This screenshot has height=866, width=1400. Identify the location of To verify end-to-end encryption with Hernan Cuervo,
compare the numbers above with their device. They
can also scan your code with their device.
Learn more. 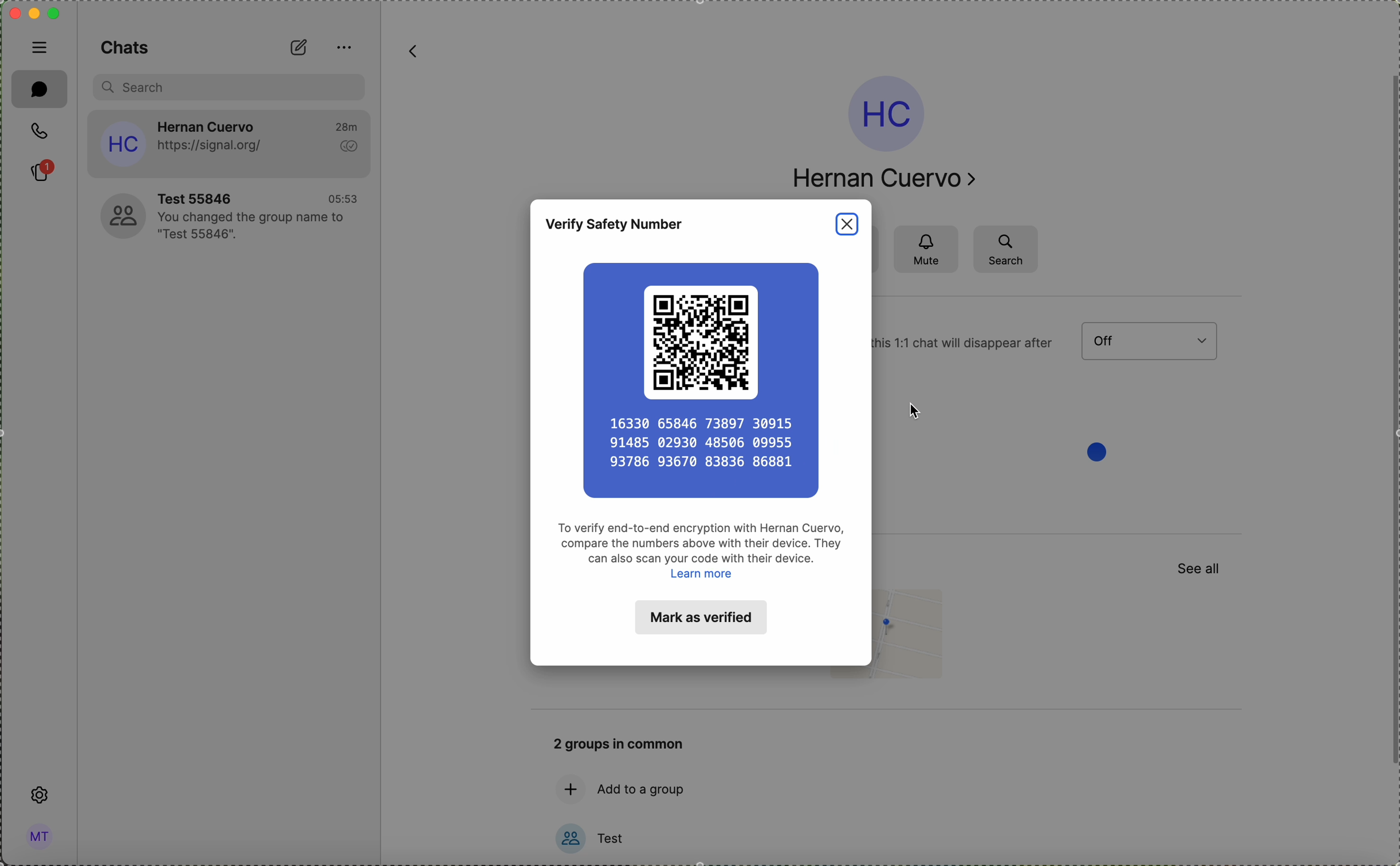
(701, 550).